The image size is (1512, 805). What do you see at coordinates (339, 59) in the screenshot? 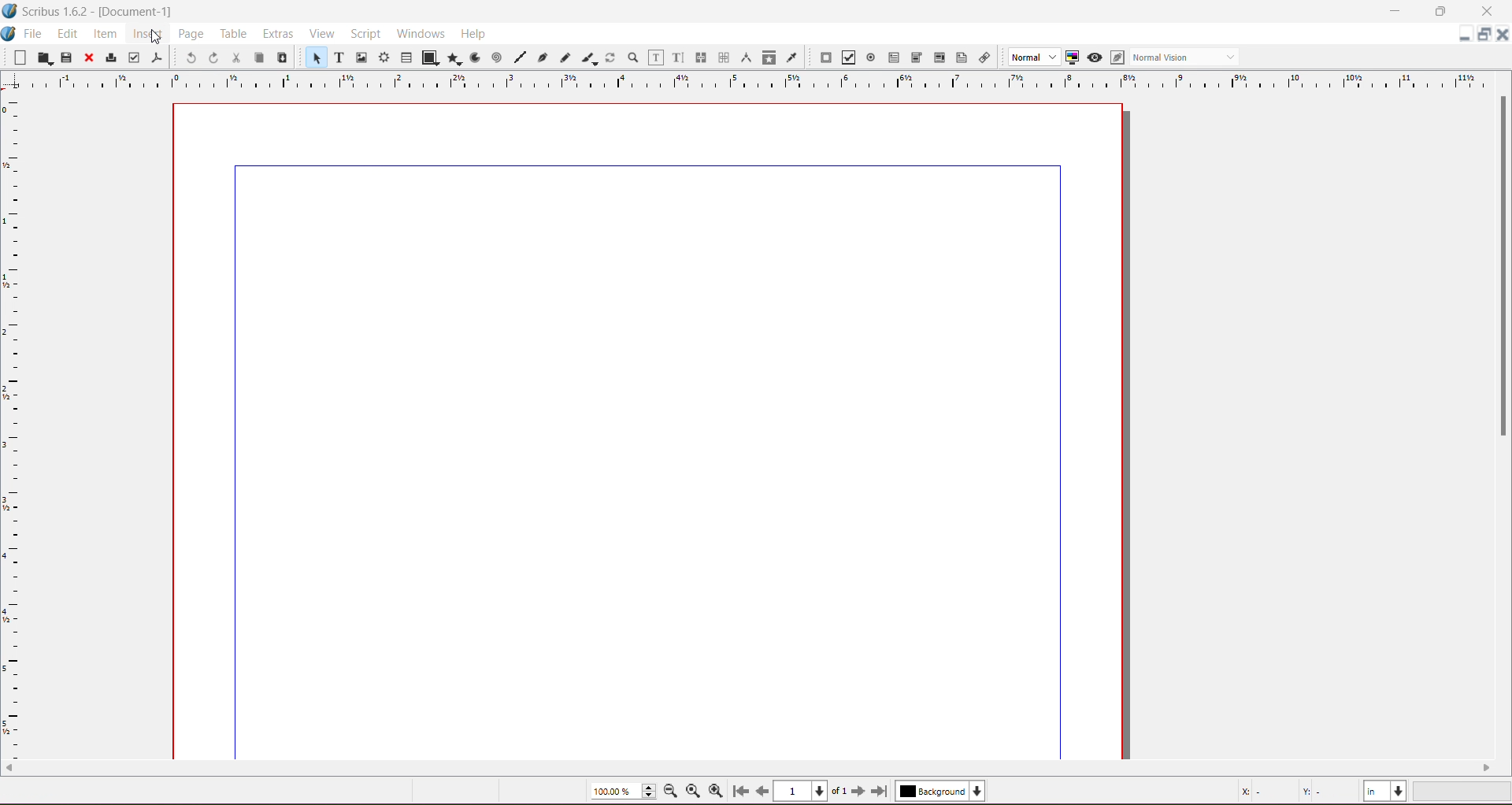
I see `Text Frame` at bounding box center [339, 59].